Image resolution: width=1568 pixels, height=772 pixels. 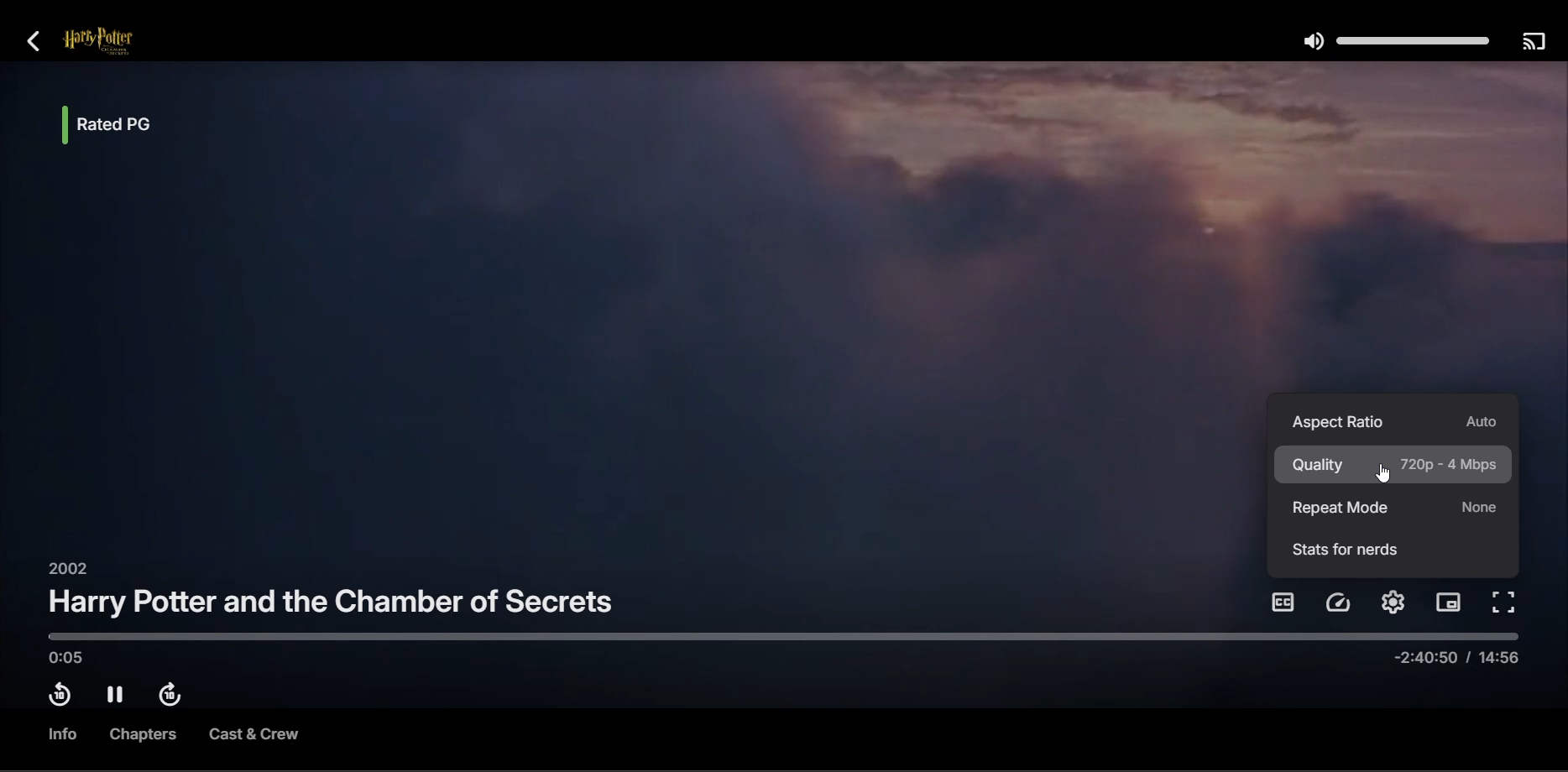 What do you see at coordinates (1450, 602) in the screenshot?
I see `Picture in picture` at bounding box center [1450, 602].